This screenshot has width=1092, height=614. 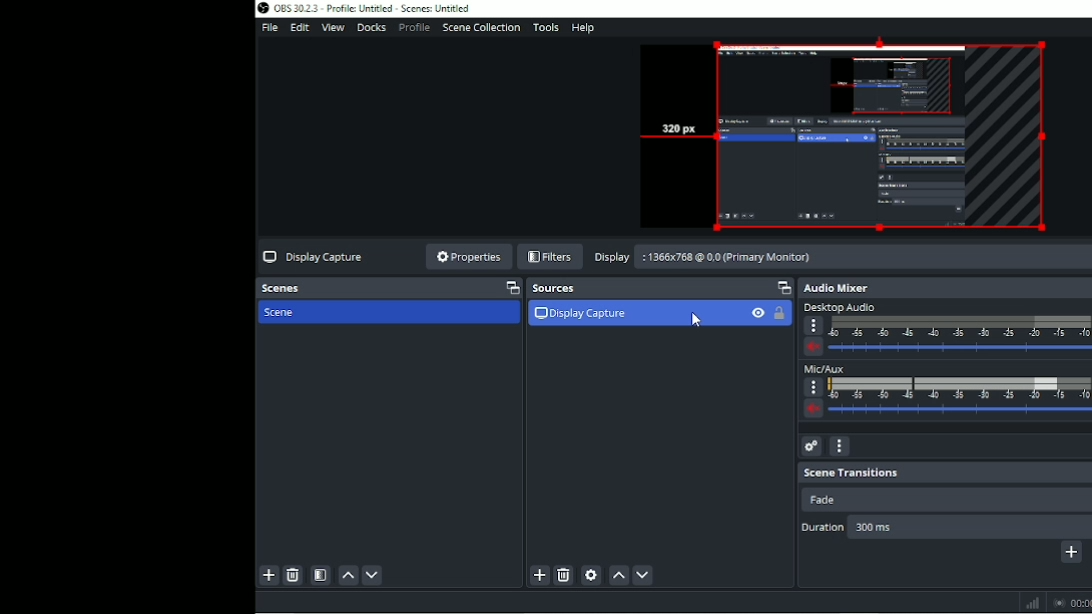 I want to click on Remove selected source (s), so click(x=563, y=575).